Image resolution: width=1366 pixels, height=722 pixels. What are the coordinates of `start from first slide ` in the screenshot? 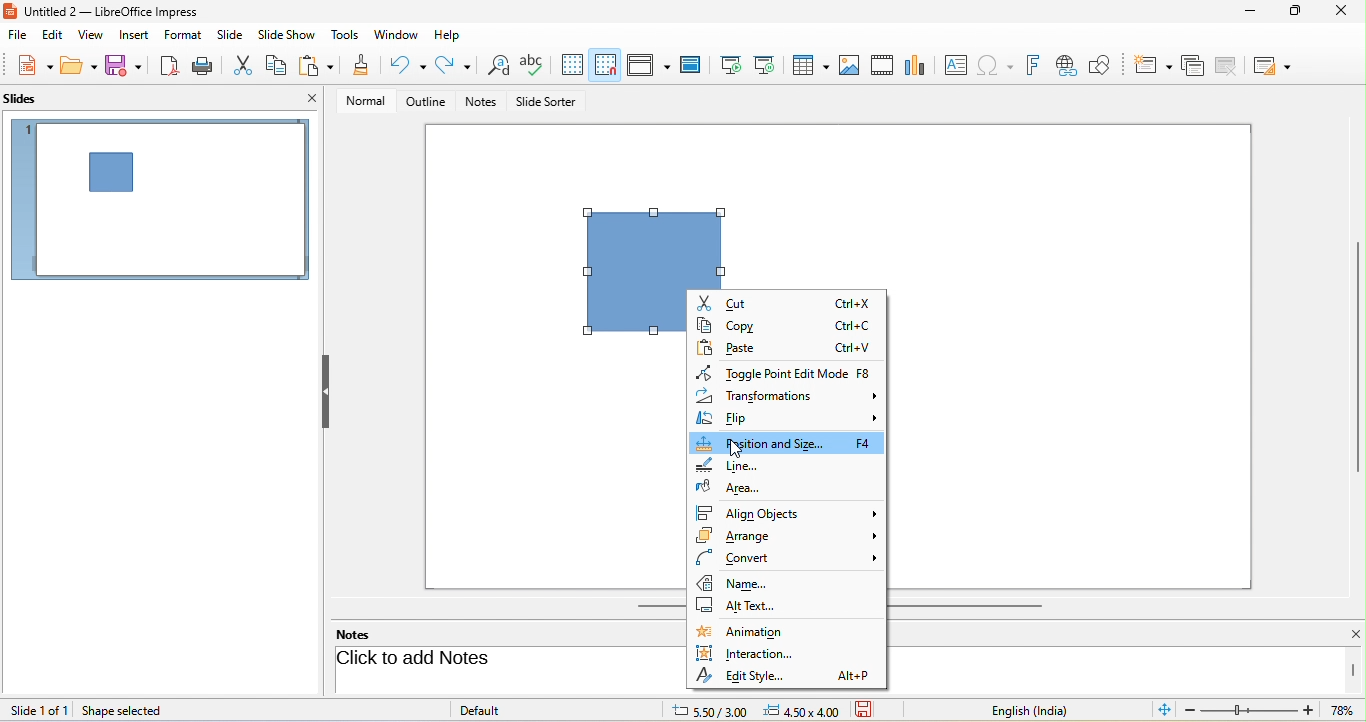 It's located at (731, 64).